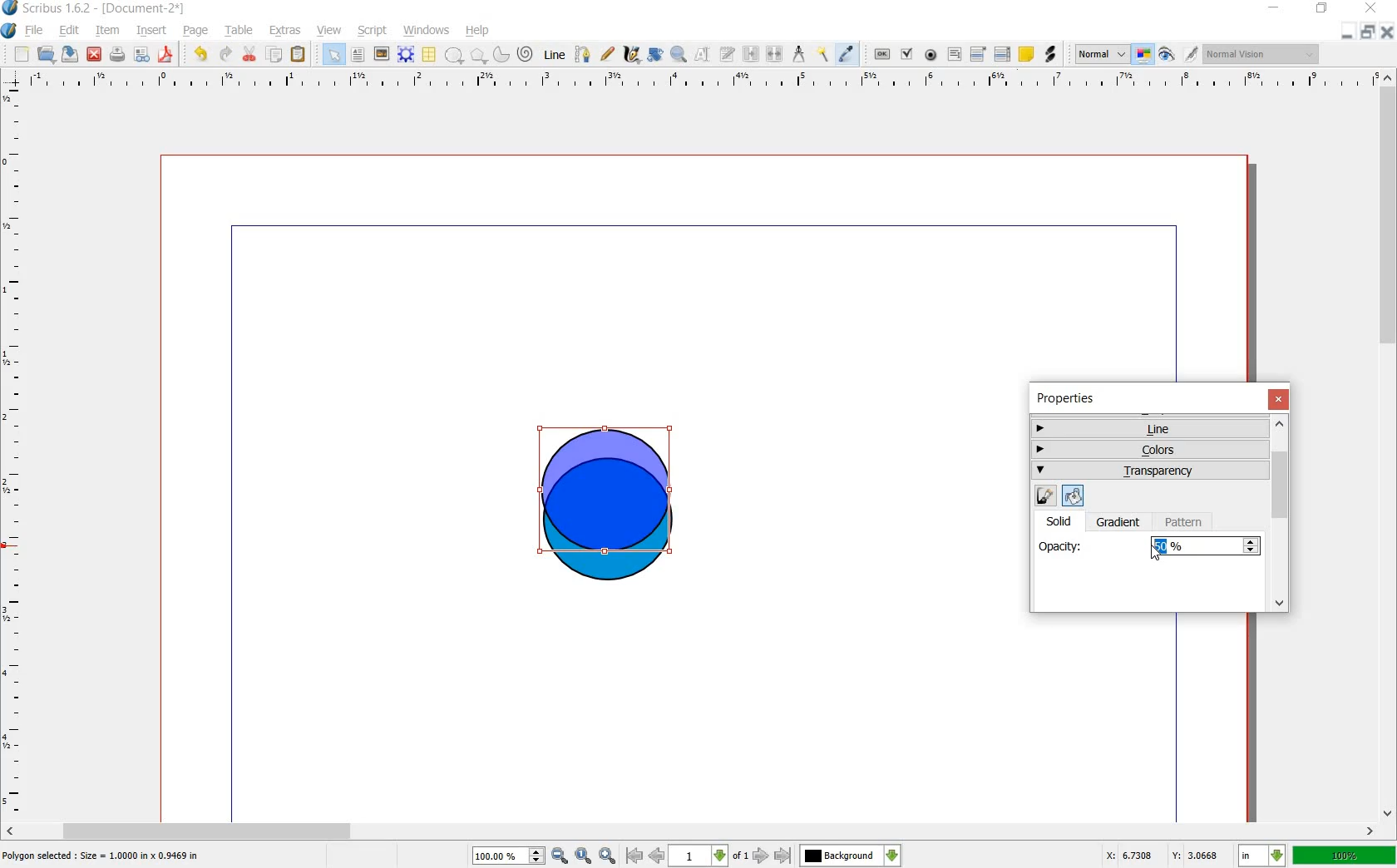  What do you see at coordinates (525, 55) in the screenshot?
I see `spiral` at bounding box center [525, 55].